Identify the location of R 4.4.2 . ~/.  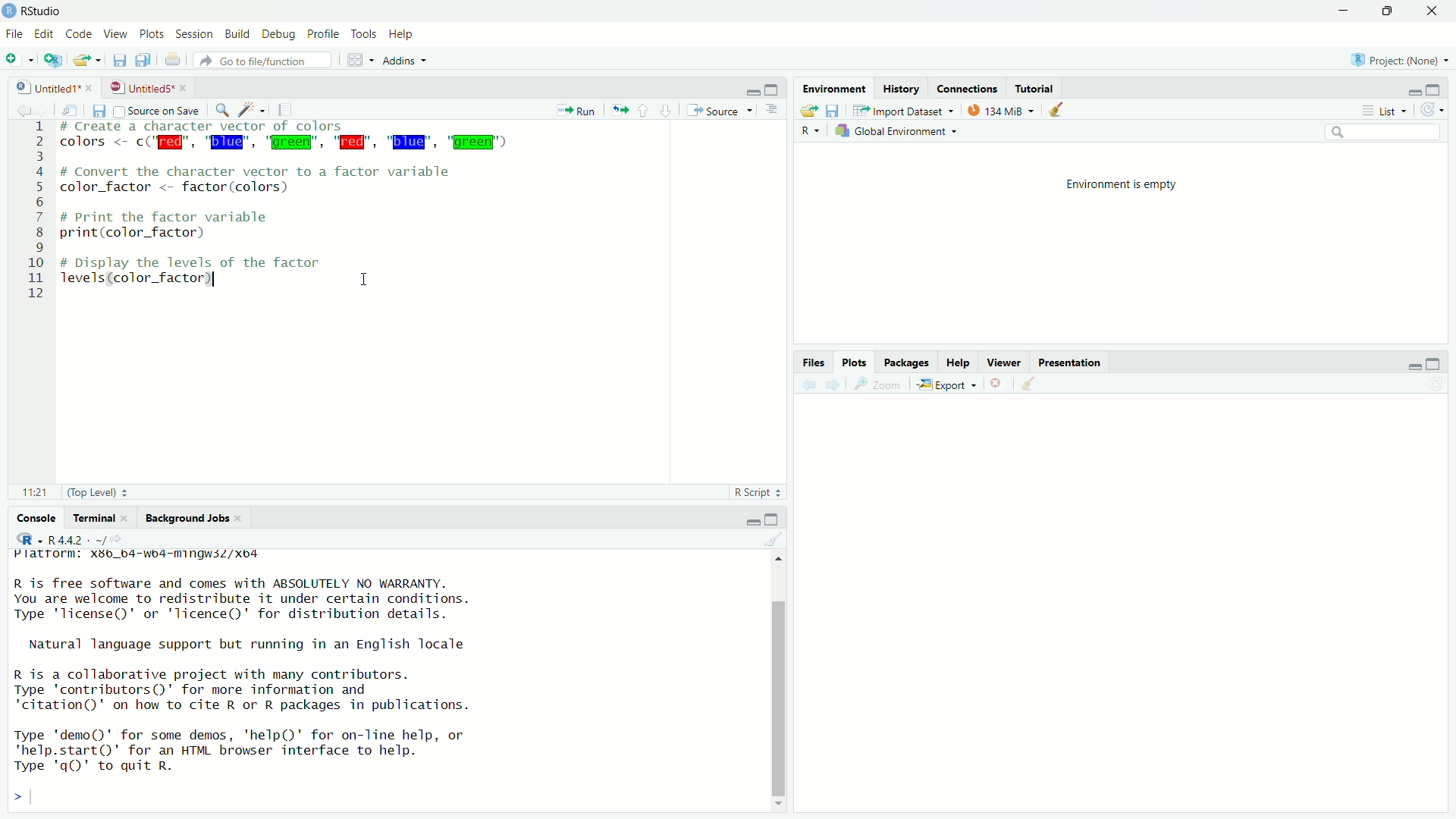
(77, 541).